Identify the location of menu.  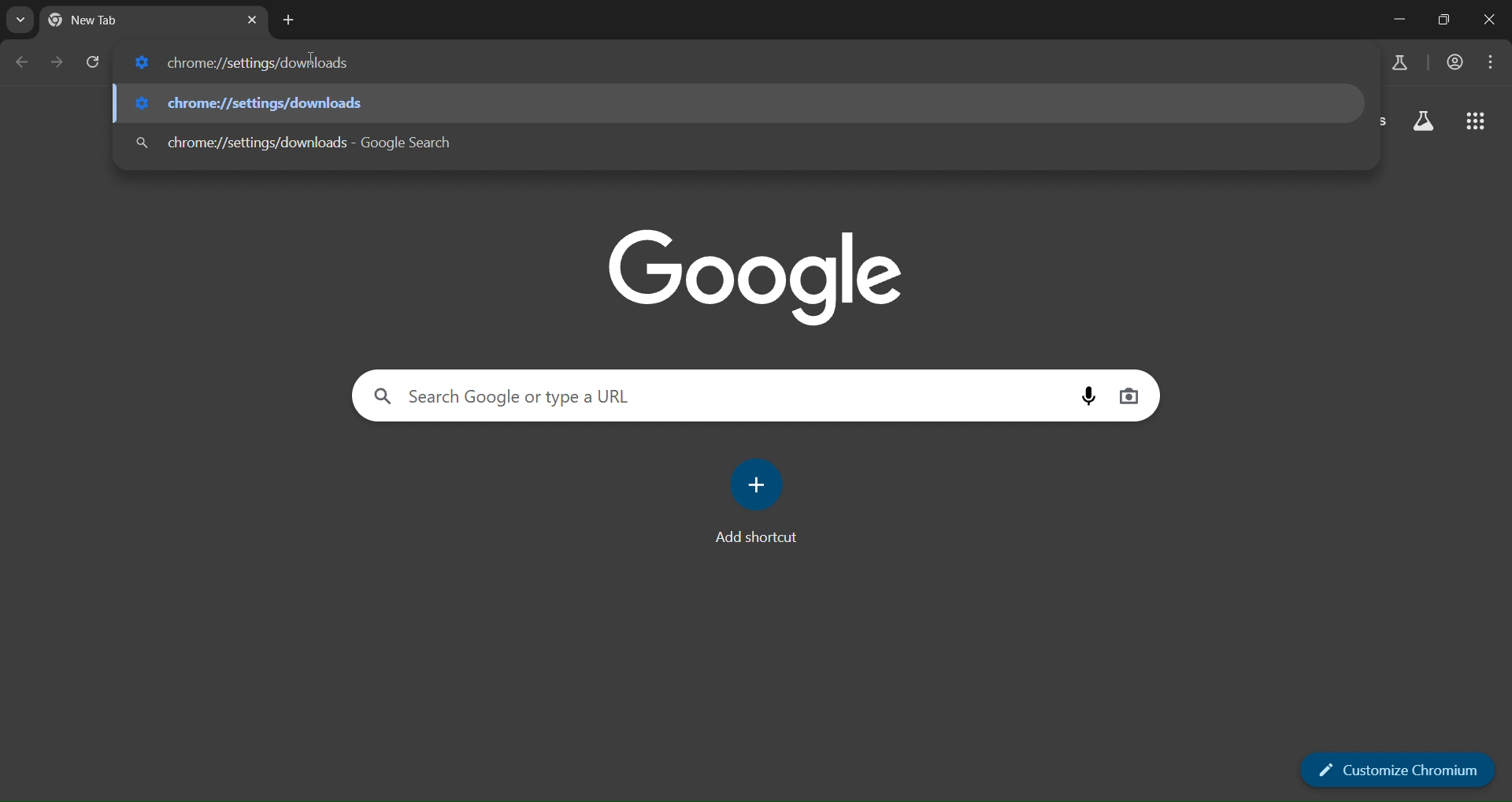
(1492, 62).